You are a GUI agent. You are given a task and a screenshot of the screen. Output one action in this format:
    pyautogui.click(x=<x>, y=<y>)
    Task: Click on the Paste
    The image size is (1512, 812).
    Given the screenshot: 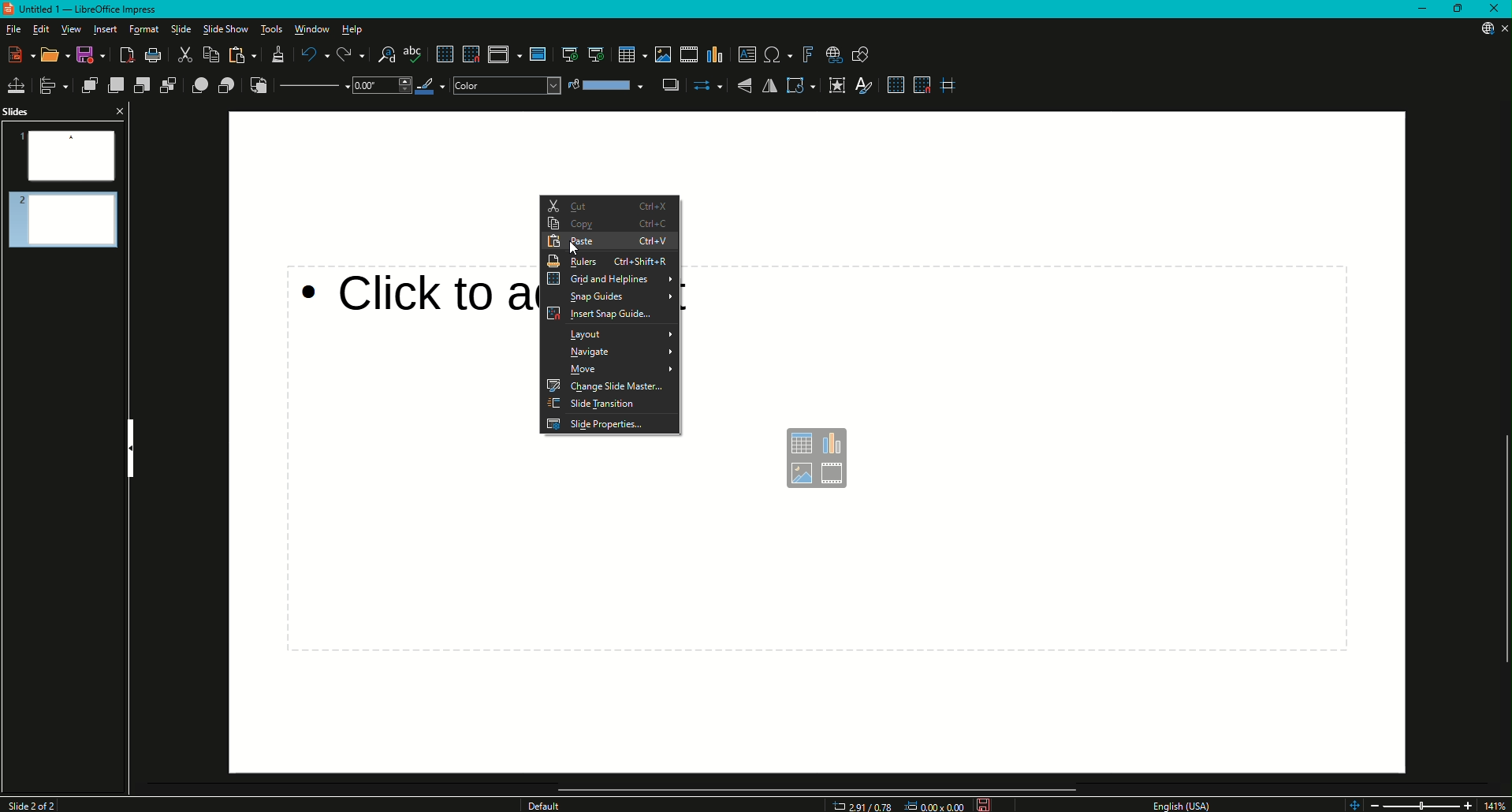 What is the action you would take?
    pyautogui.click(x=612, y=243)
    